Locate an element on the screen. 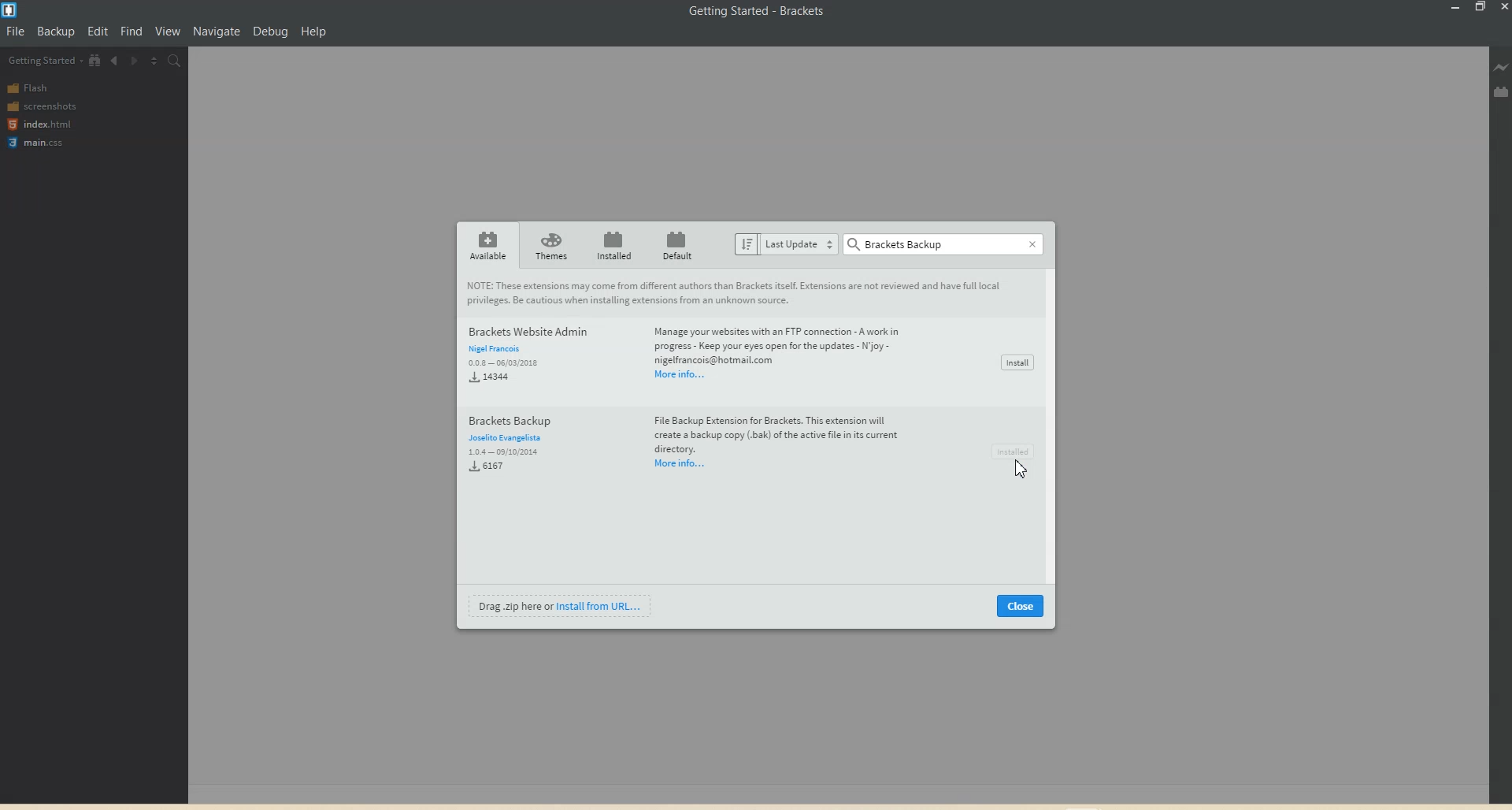 Image resolution: width=1512 pixels, height=810 pixels. Live Preview is located at coordinates (1502, 68).